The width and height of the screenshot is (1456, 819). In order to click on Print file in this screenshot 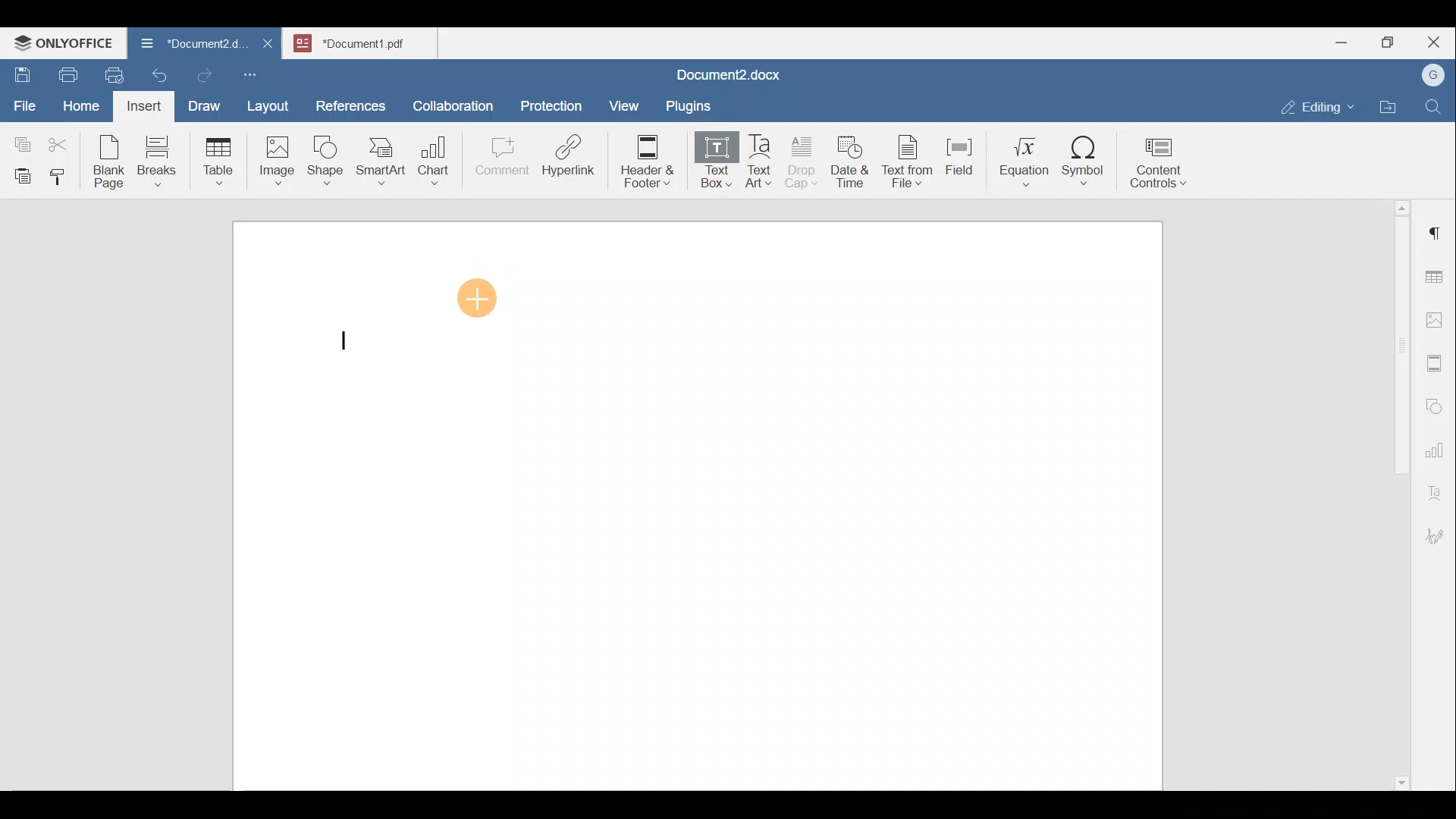, I will do `click(65, 72)`.